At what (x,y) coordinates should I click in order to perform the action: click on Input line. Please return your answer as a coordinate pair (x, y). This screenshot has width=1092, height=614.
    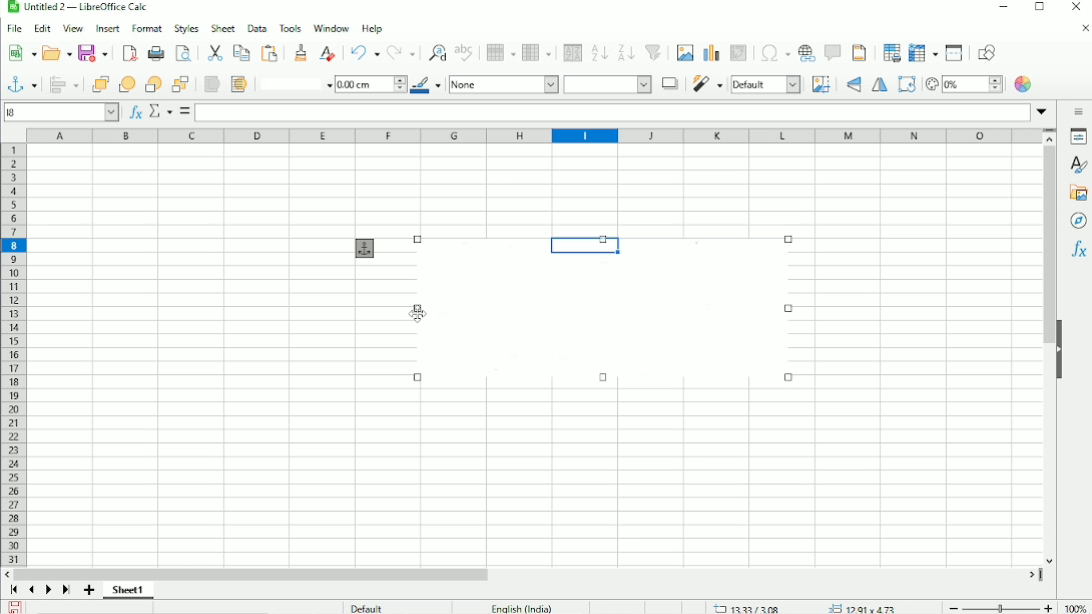
    Looking at the image, I should click on (613, 111).